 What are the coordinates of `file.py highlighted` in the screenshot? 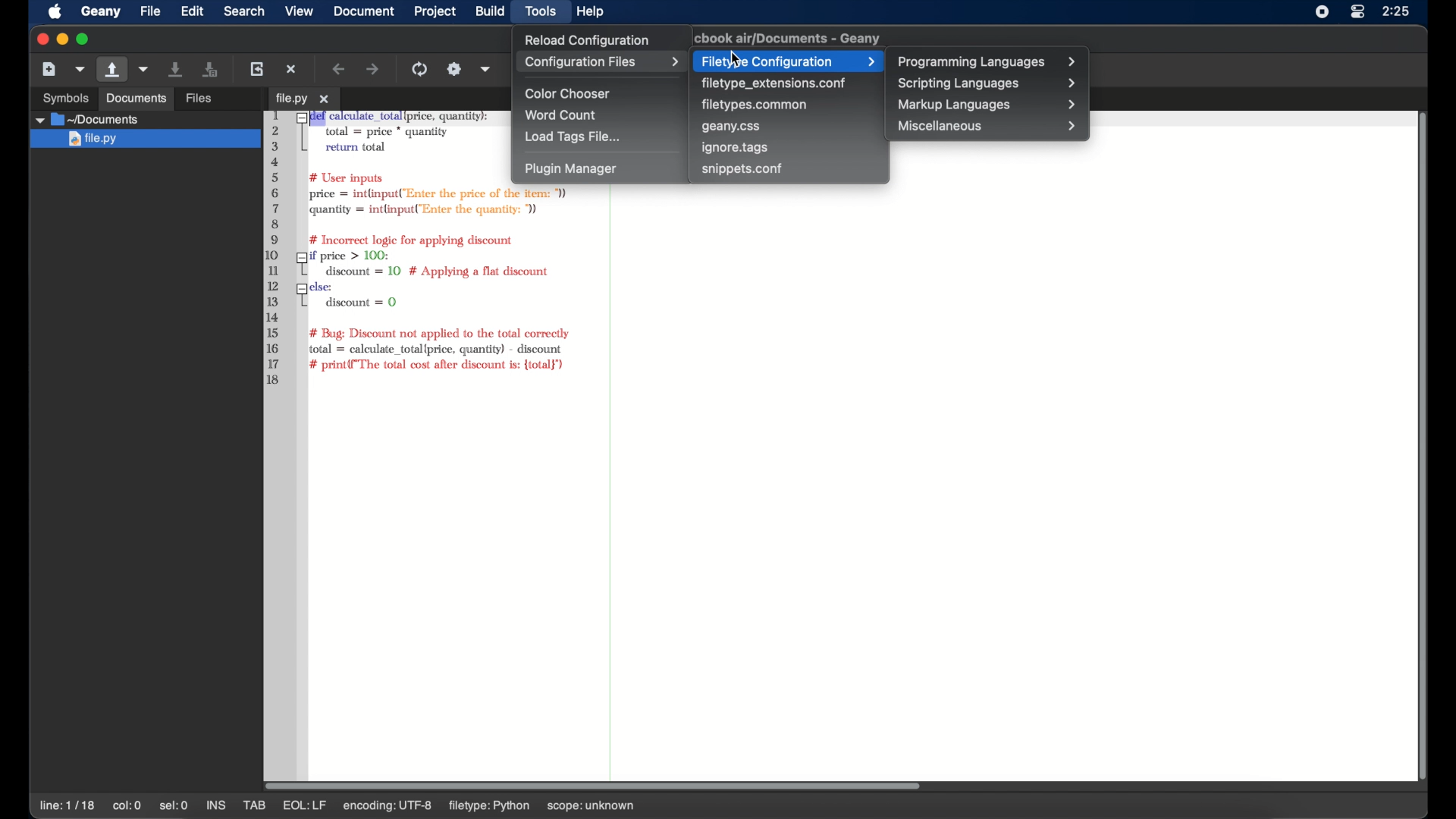 It's located at (143, 140).